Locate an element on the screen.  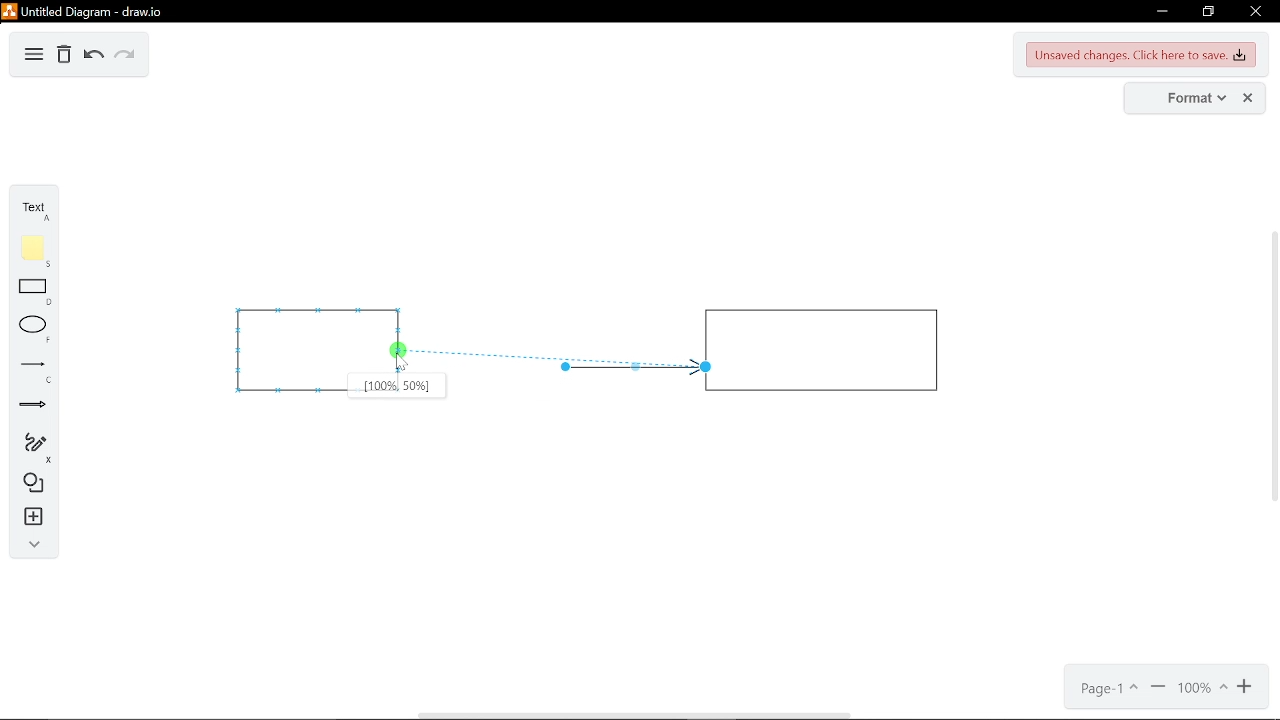
position on the rectangle is located at coordinates (398, 386).